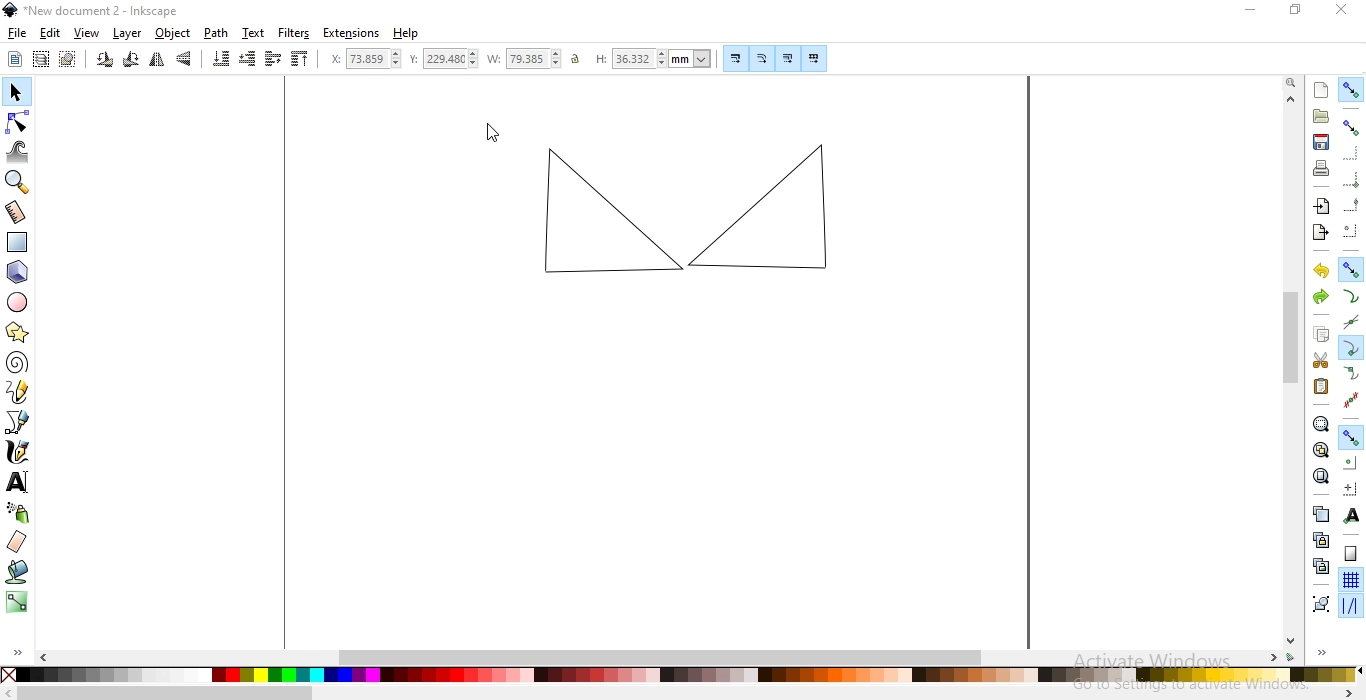 The image size is (1366, 700). I want to click on path, so click(215, 34).